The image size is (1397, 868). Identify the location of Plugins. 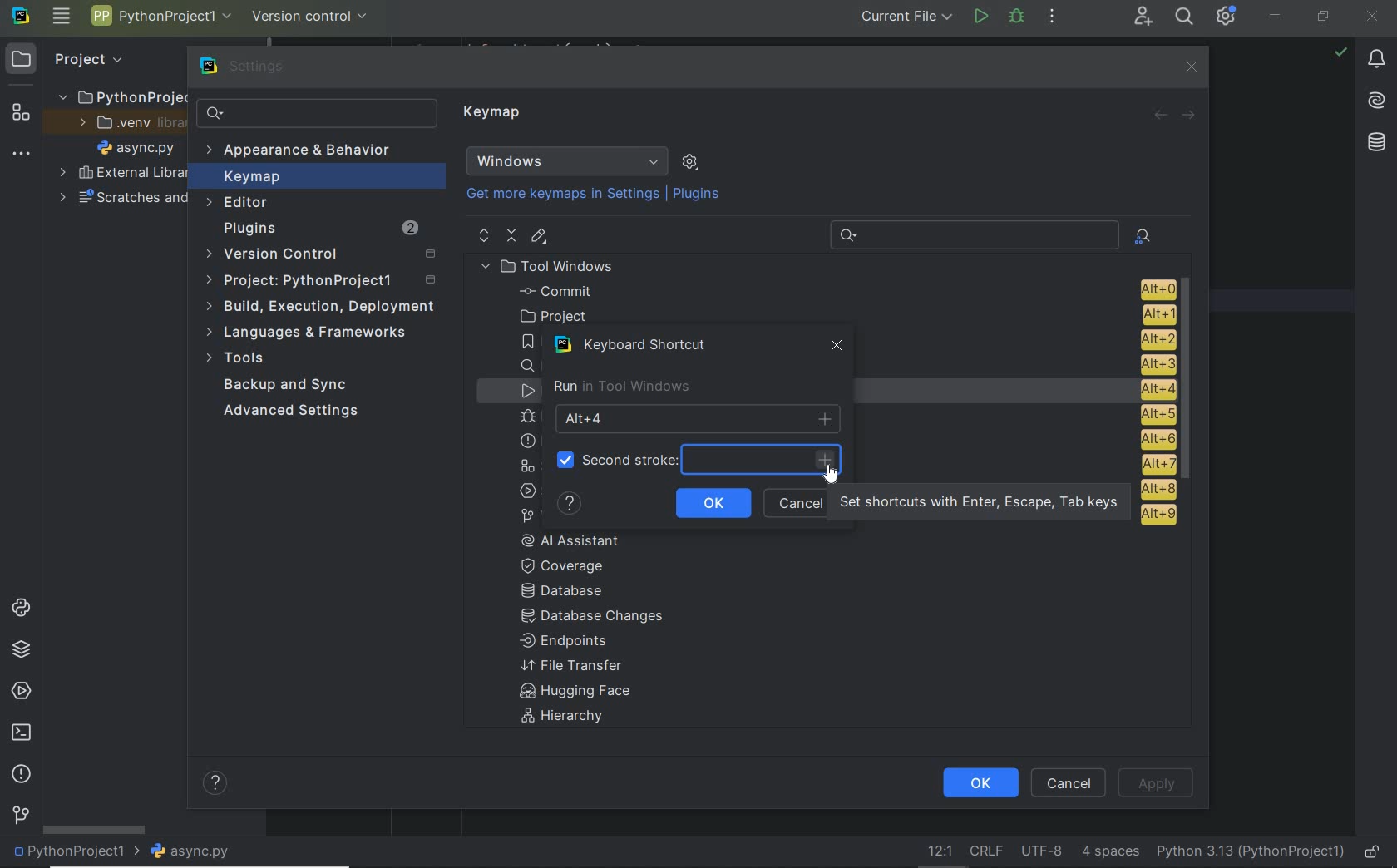
(318, 229).